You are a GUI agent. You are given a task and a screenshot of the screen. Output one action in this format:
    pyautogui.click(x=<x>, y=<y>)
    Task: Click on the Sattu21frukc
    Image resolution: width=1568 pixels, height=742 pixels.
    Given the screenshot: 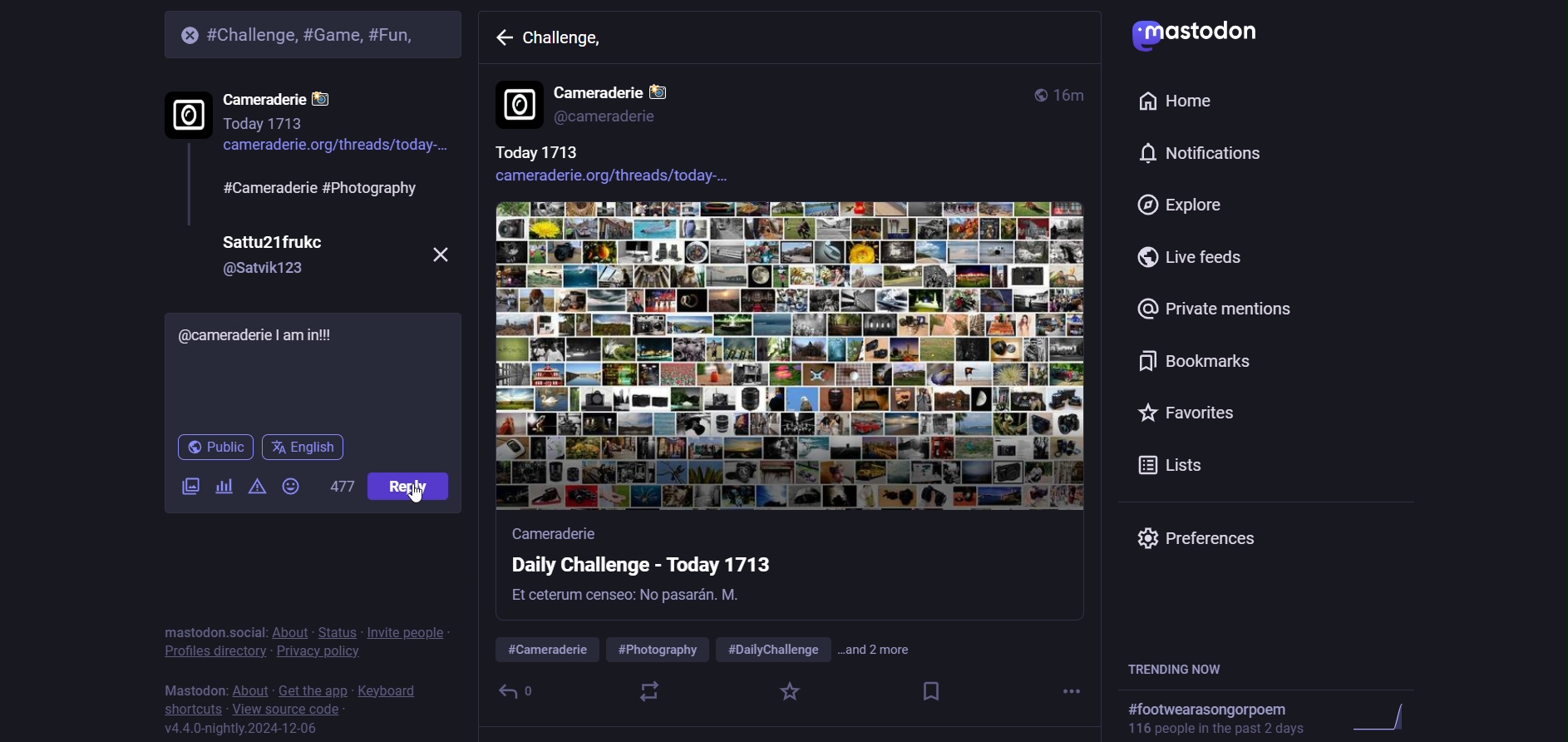 What is the action you would take?
    pyautogui.click(x=269, y=236)
    